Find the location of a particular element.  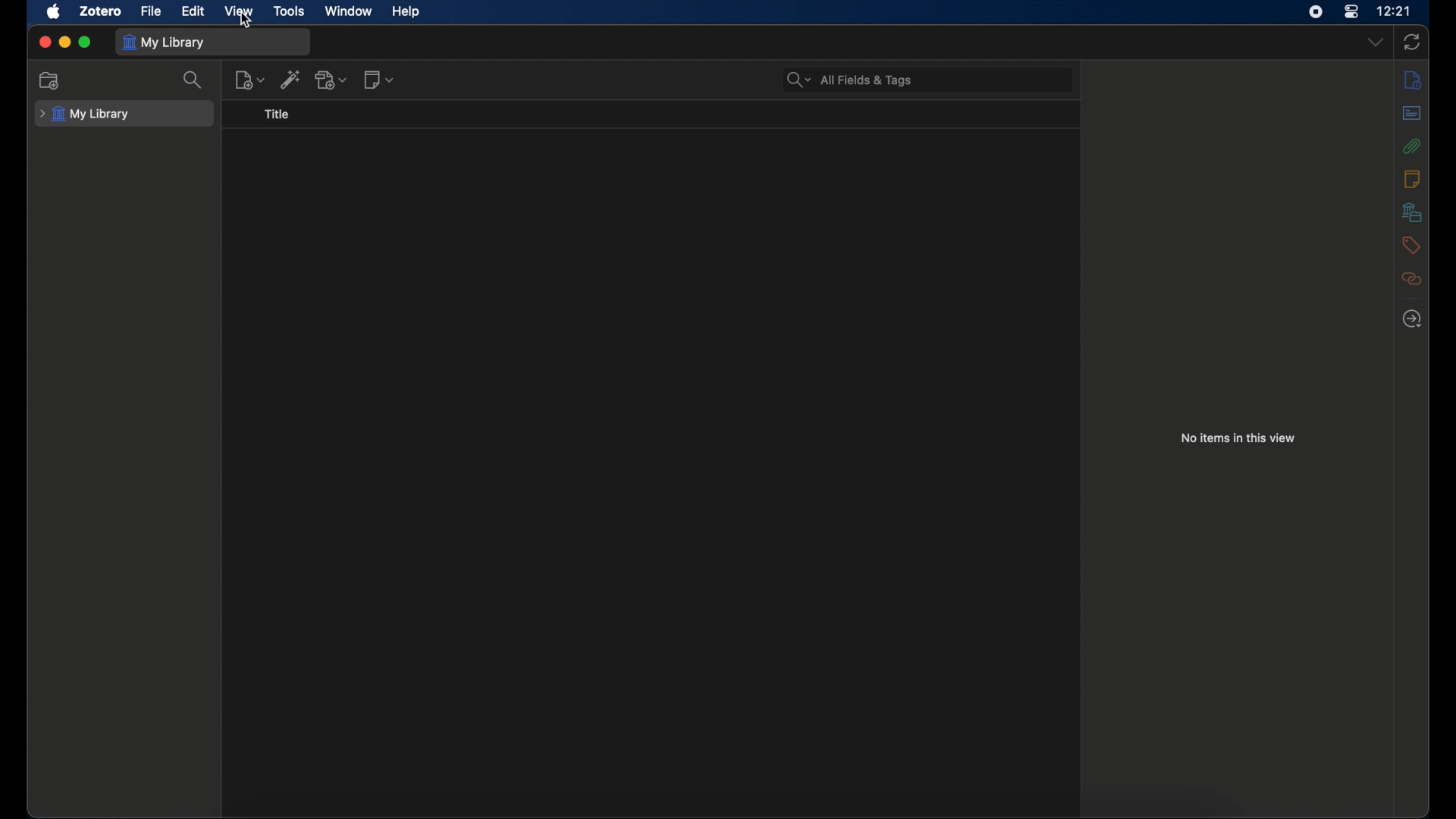

my library is located at coordinates (83, 115).